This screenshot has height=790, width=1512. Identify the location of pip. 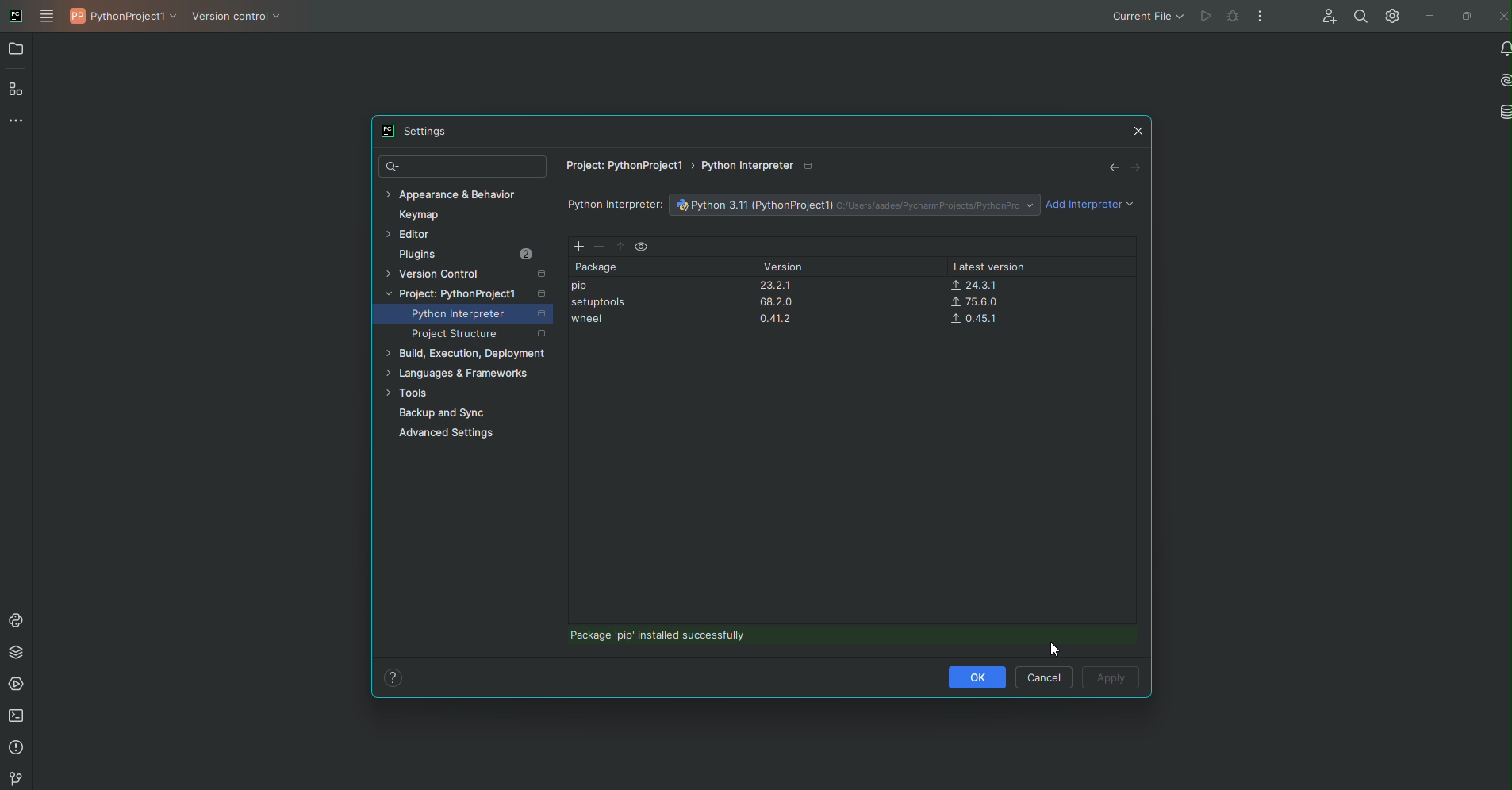
(581, 287).